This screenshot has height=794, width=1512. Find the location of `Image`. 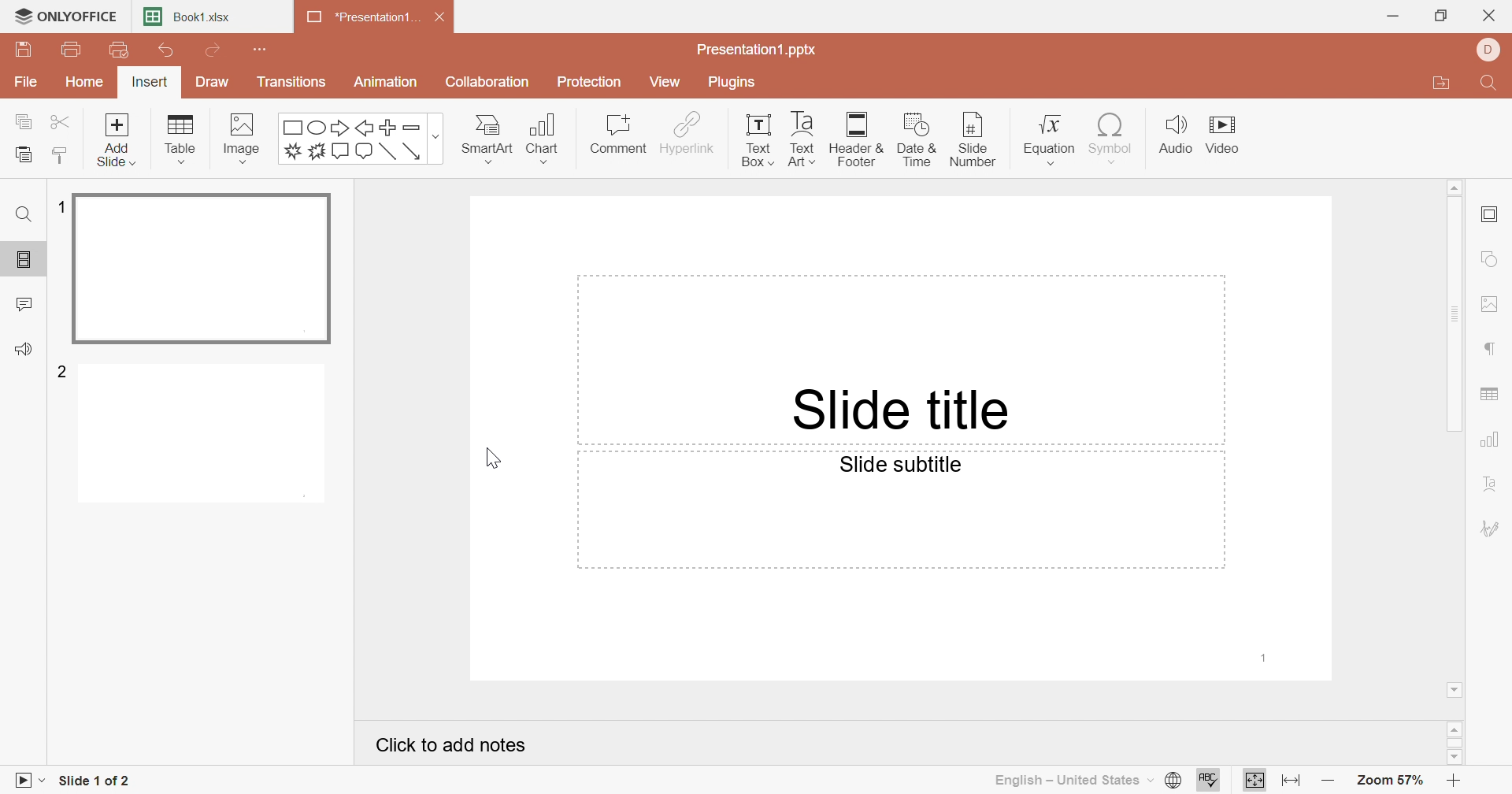

Image is located at coordinates (247, 139).